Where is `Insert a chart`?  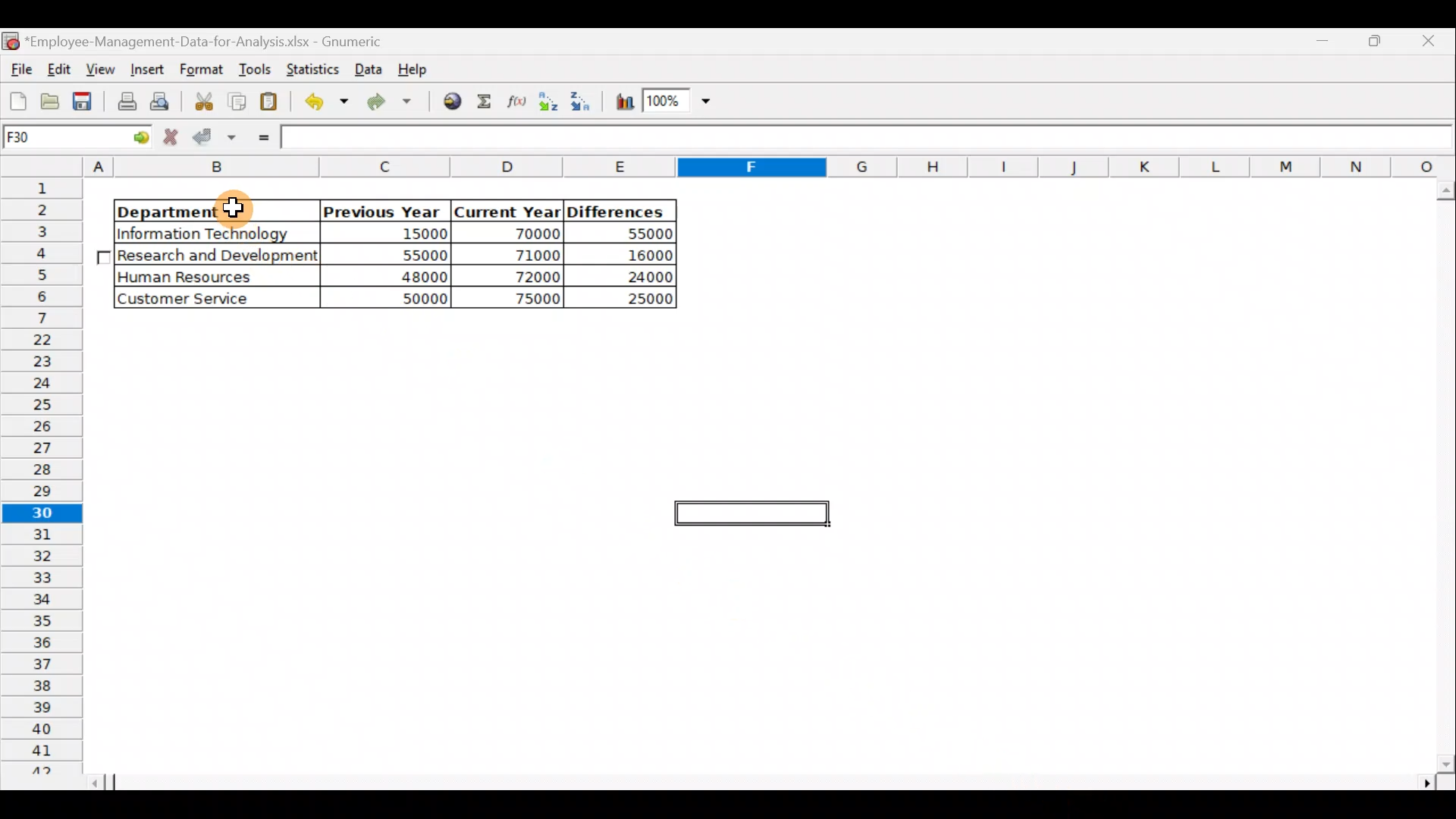
Insert a chart is located at coordinates (623, 102).